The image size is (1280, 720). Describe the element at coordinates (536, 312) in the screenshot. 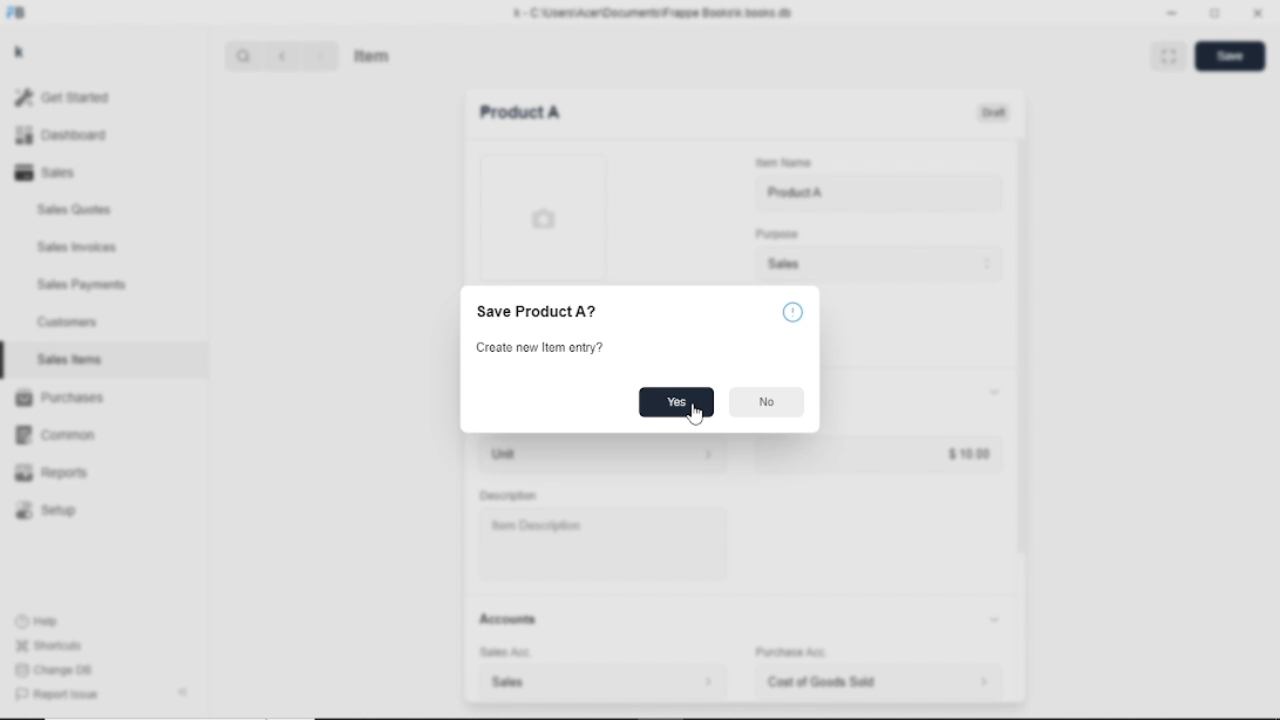

I see `Save Product A?` at that location.